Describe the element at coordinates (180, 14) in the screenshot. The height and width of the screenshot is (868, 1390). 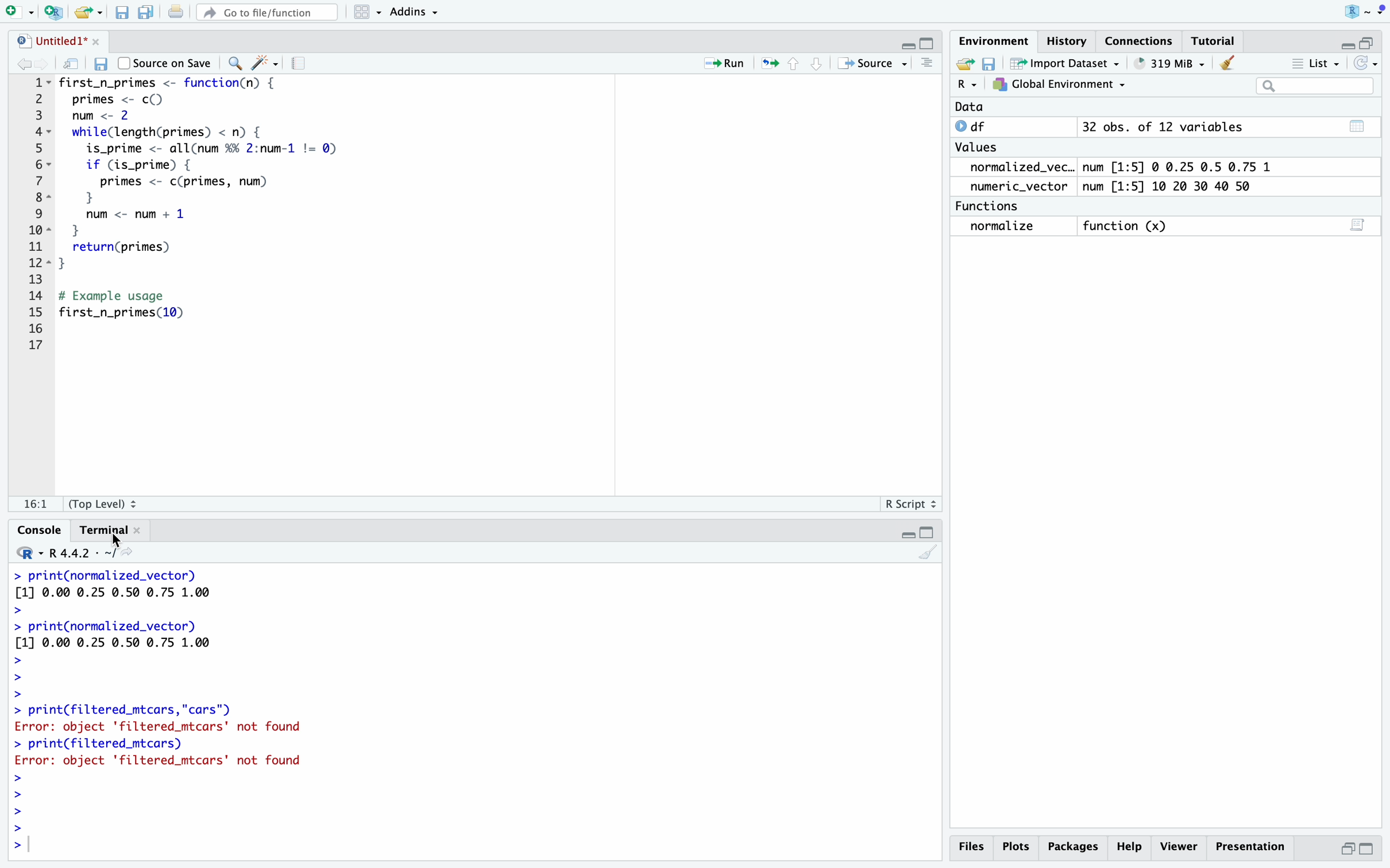
I see `print current document` at that location.